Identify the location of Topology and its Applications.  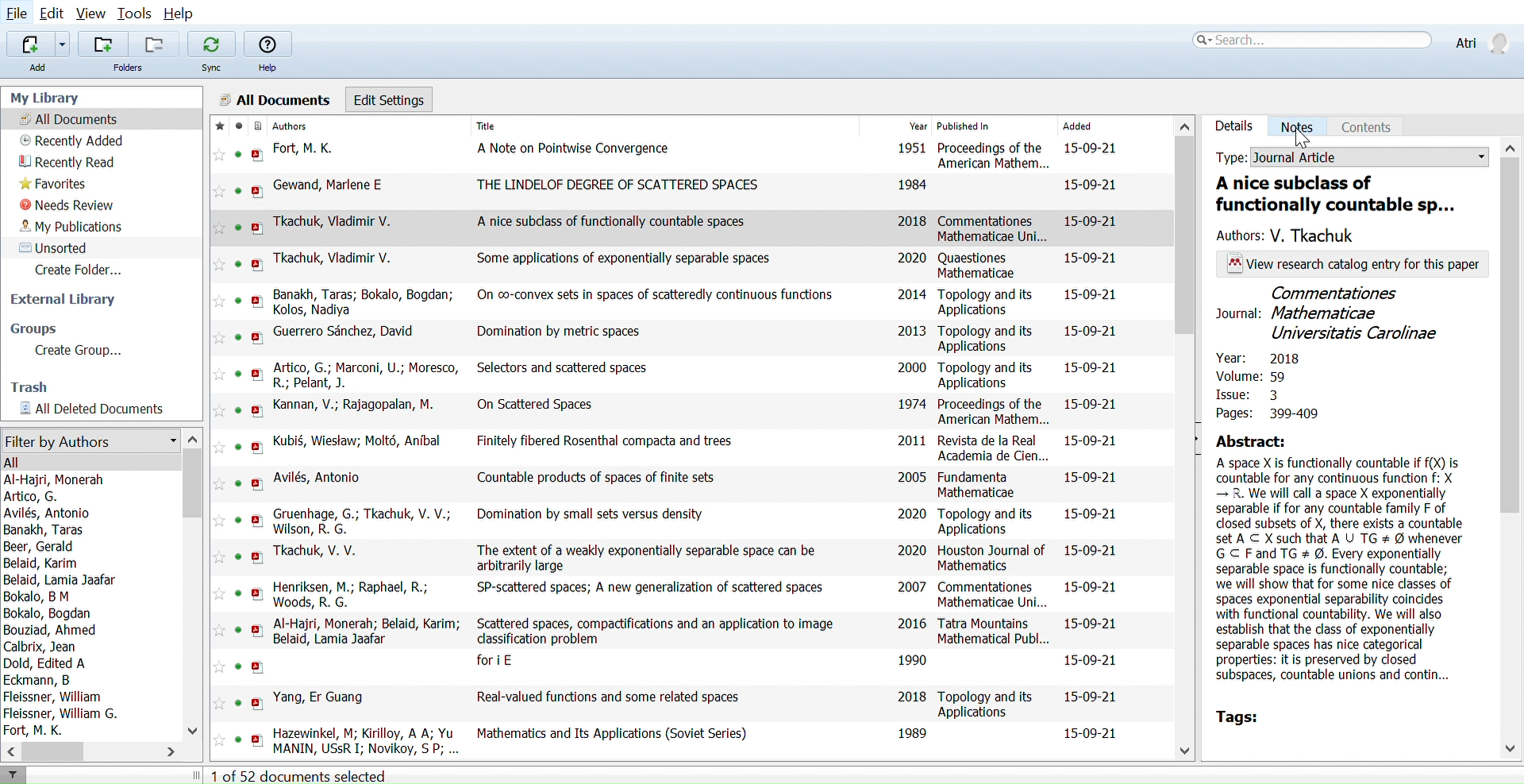
(987, 522).